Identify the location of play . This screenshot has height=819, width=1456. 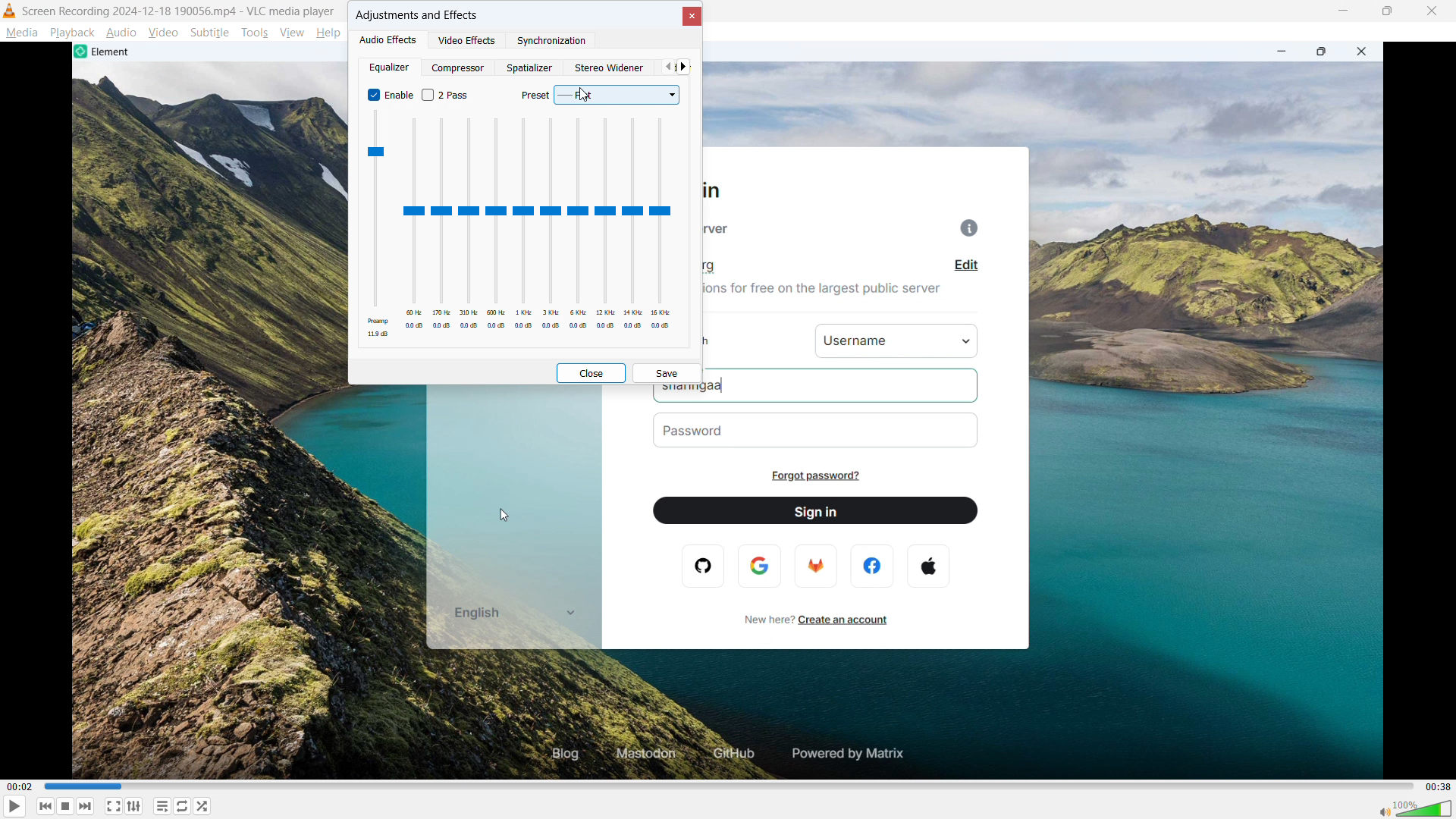
(15, 806).